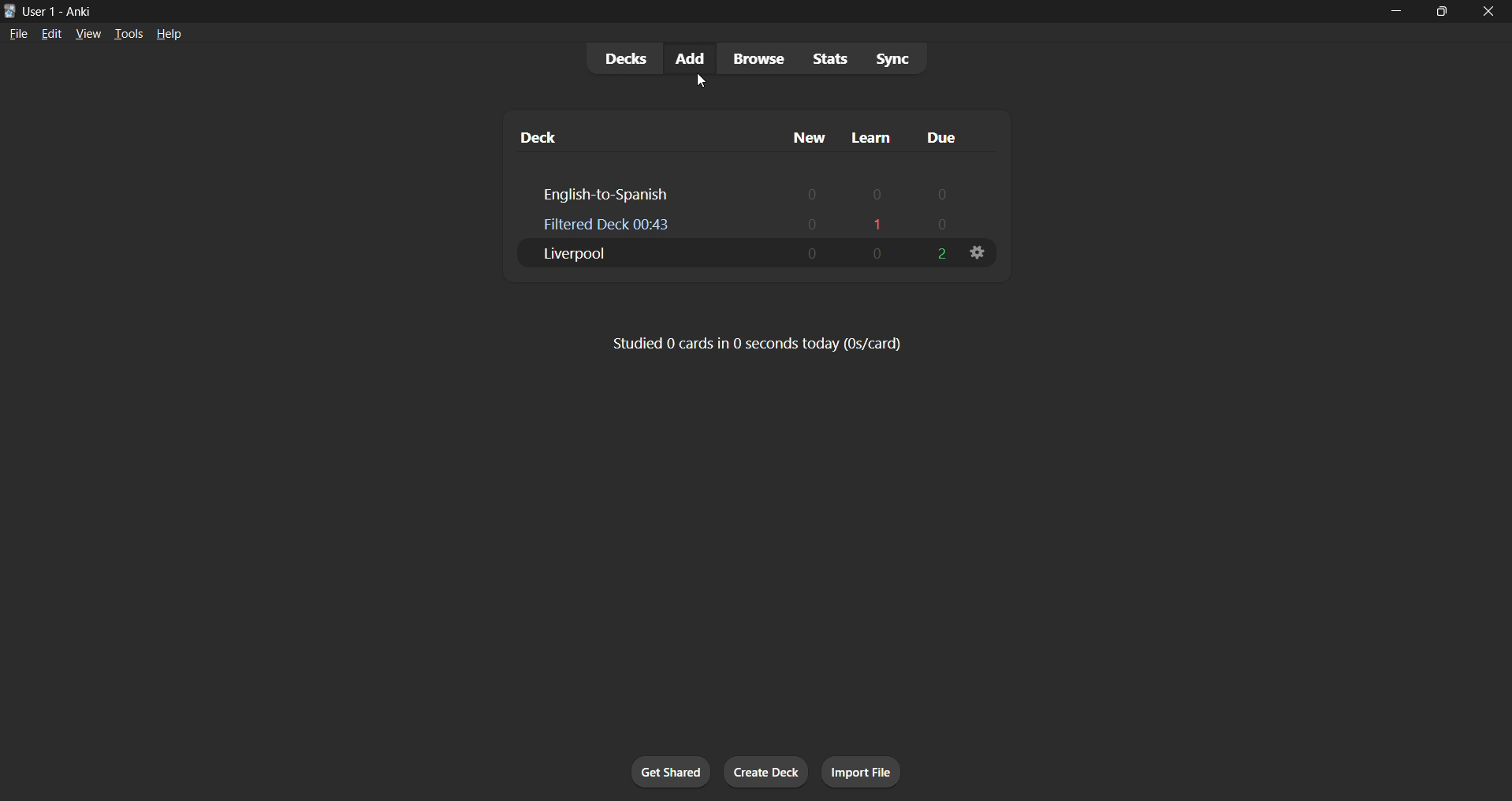 Image resolution: width=1512 pixels, height=801 pixels. Describe the element at coordinates (762, 223) in the screenshot. I see `fIltered deck 00:43 data` at that location.